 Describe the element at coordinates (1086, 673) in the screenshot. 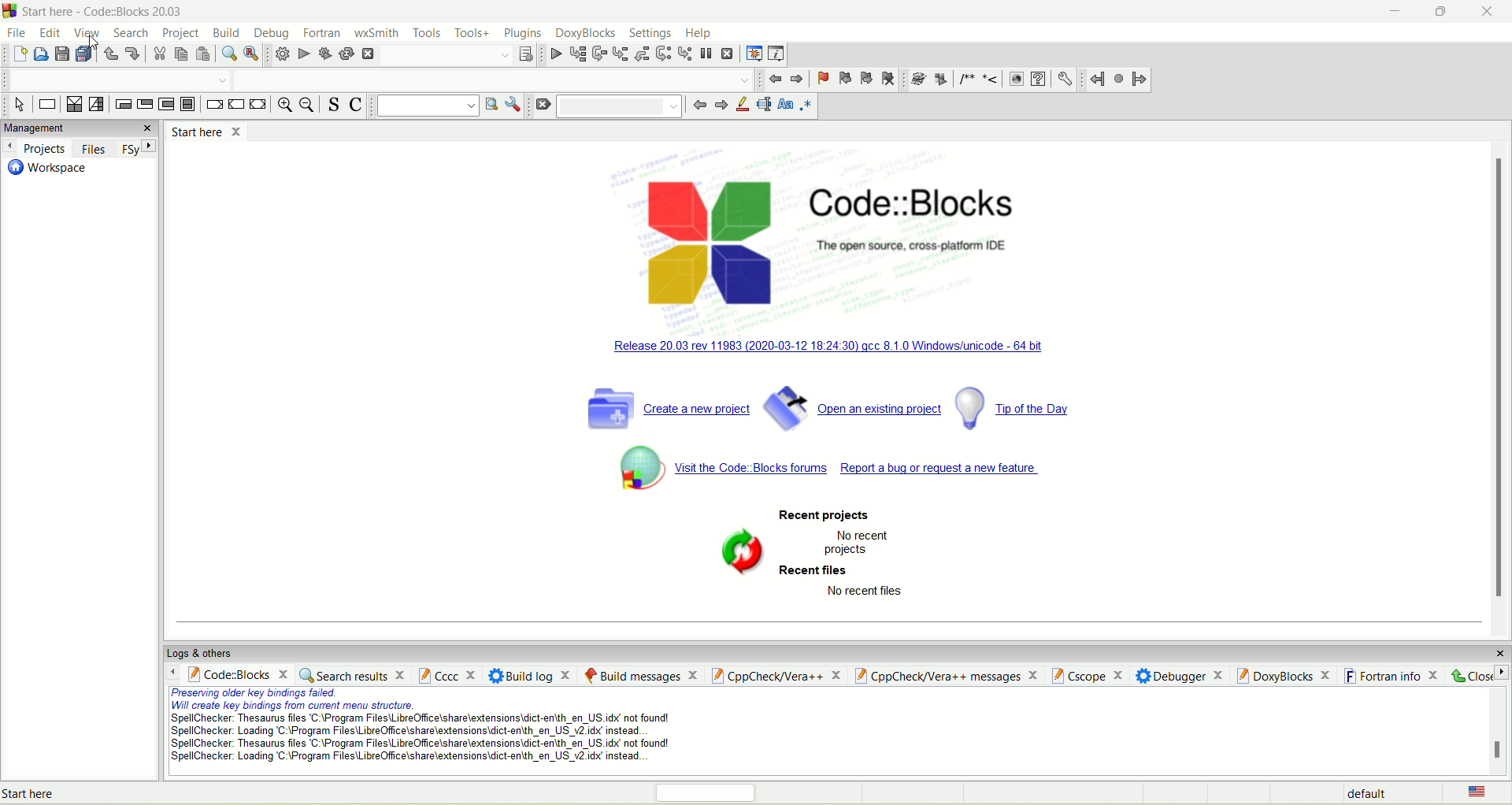

I see `Cscope` at that location.